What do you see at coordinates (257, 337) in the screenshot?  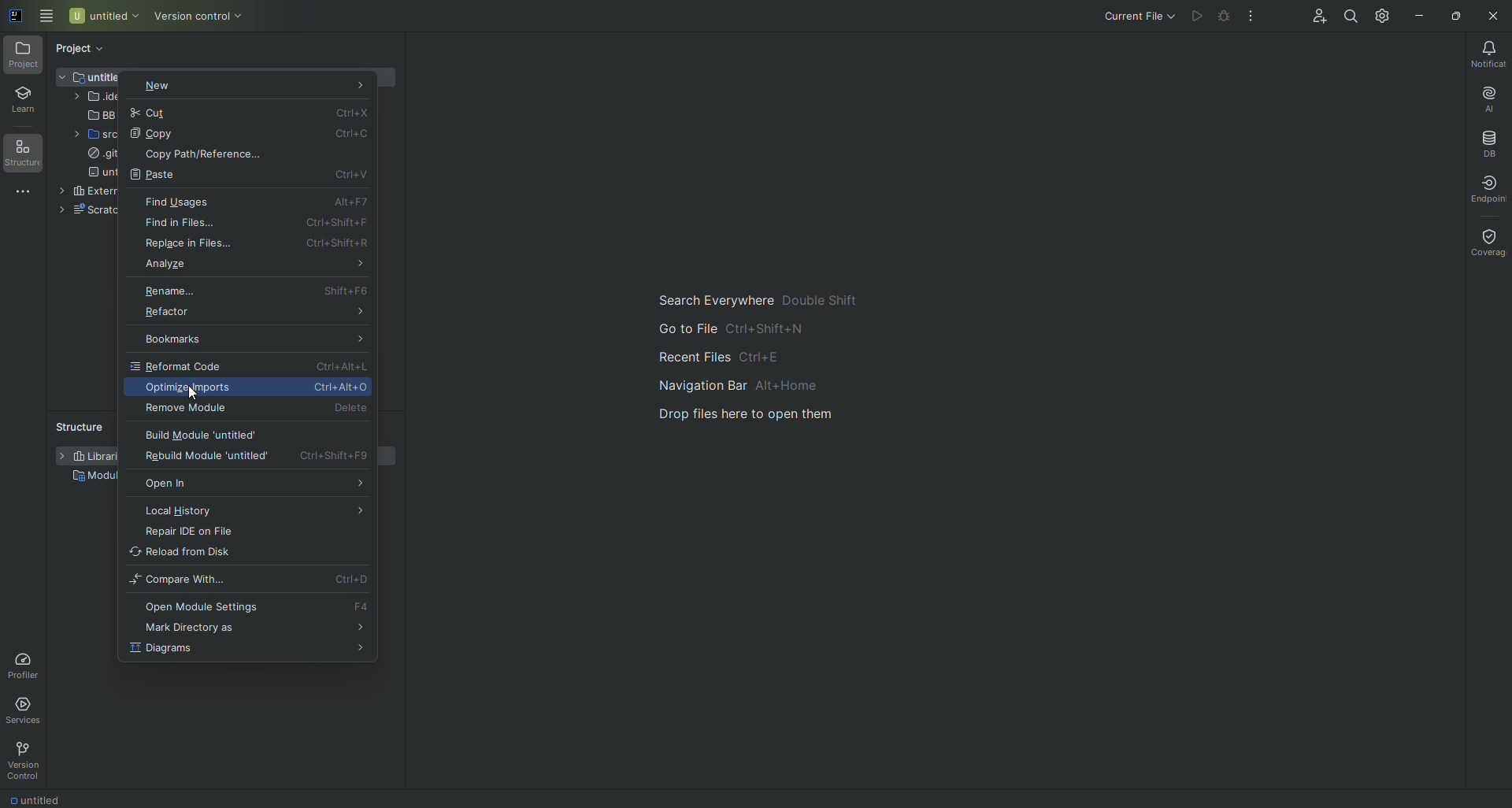 I see `Bookmarks` at bounding box center [257, 337].